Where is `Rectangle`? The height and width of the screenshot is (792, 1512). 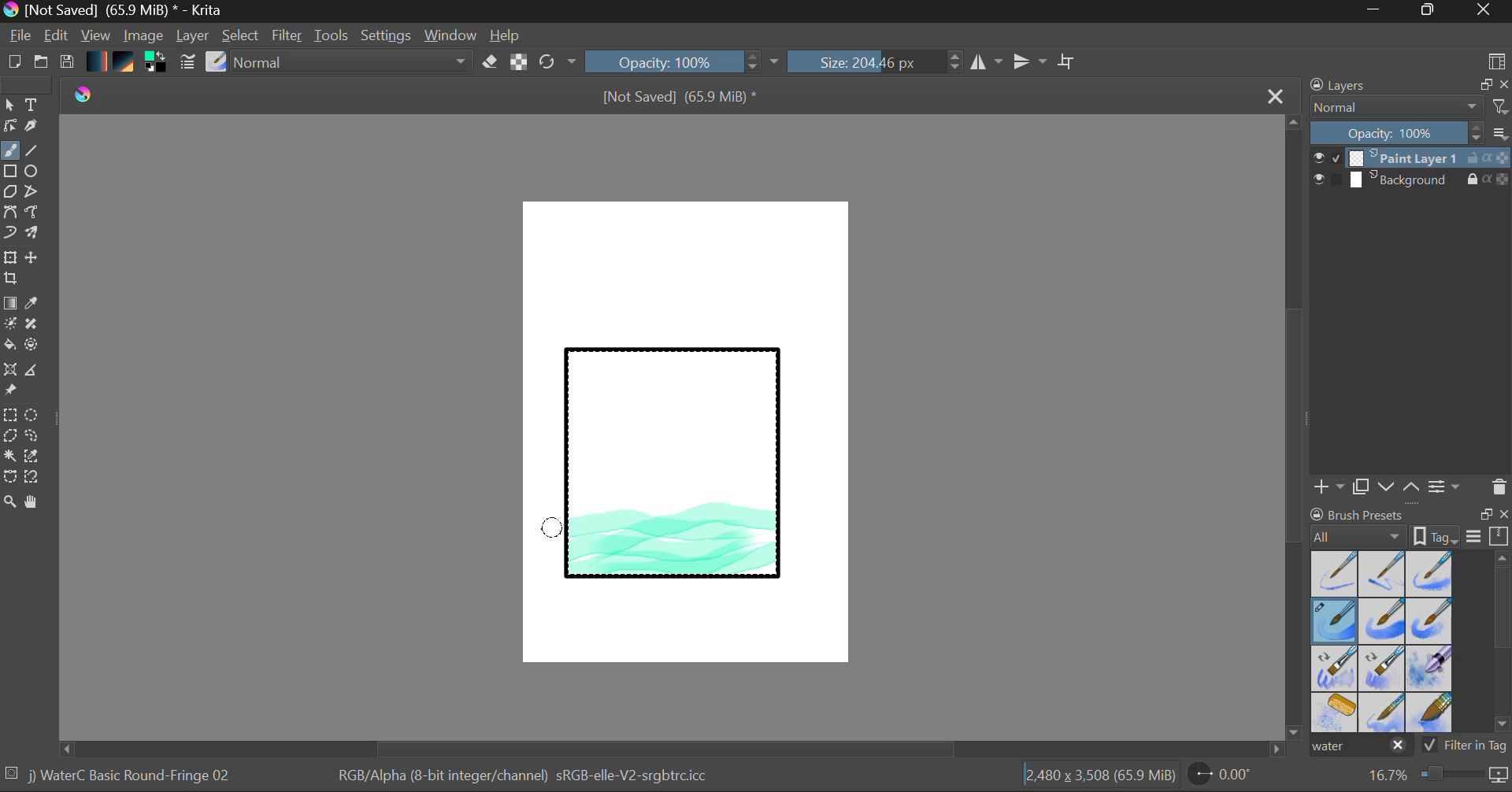 Rectangle is located at coordinates (11, 172).